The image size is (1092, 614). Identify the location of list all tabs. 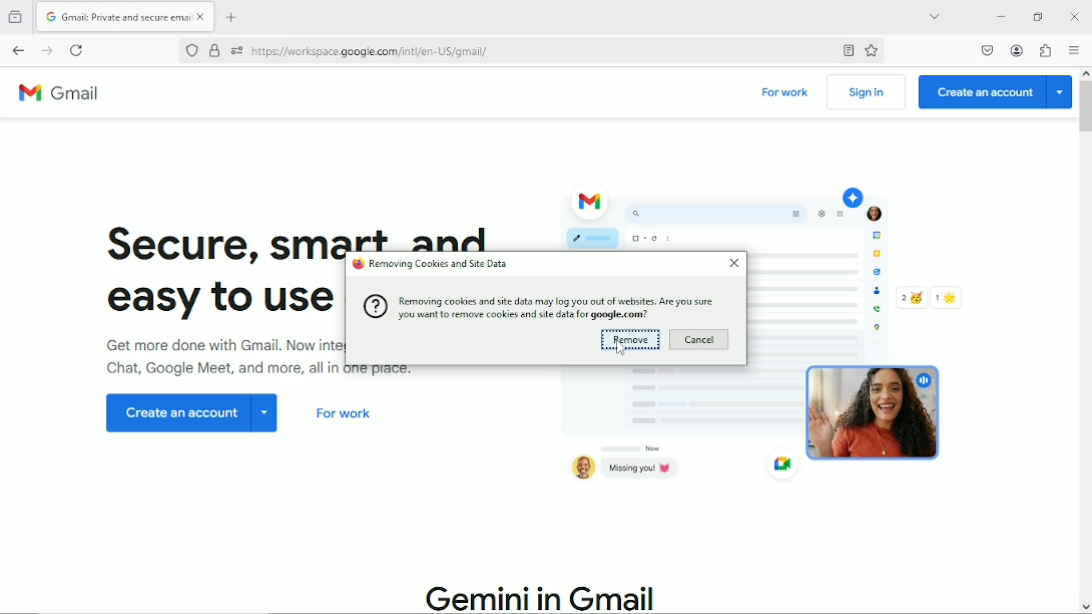
(931, 15).